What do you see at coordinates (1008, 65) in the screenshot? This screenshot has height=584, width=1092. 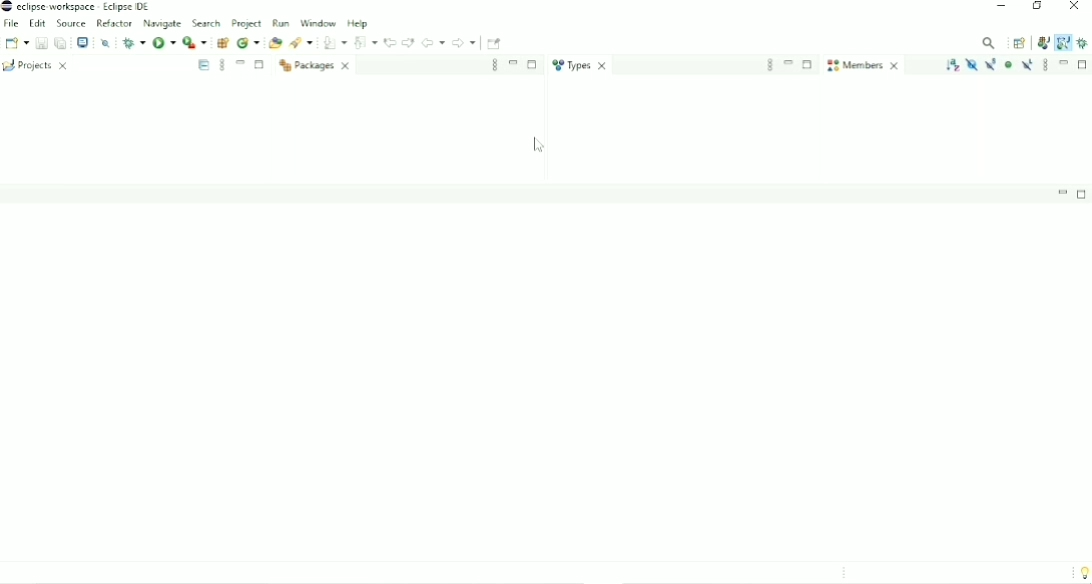 I see `Hide non-public members` at bounding box center [1008, 65].